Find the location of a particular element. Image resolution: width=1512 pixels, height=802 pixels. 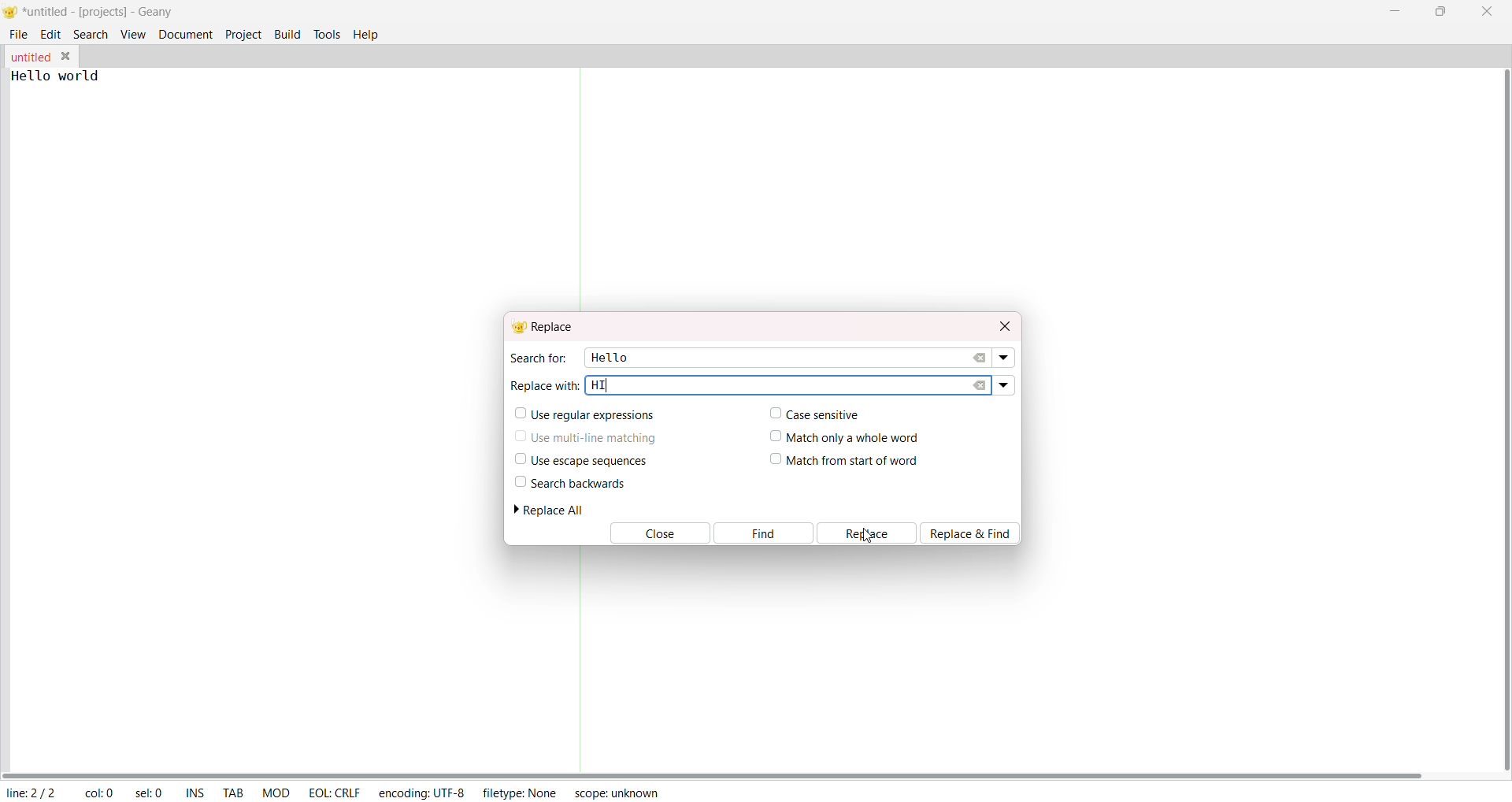

document is located at coordinates (186, 33).